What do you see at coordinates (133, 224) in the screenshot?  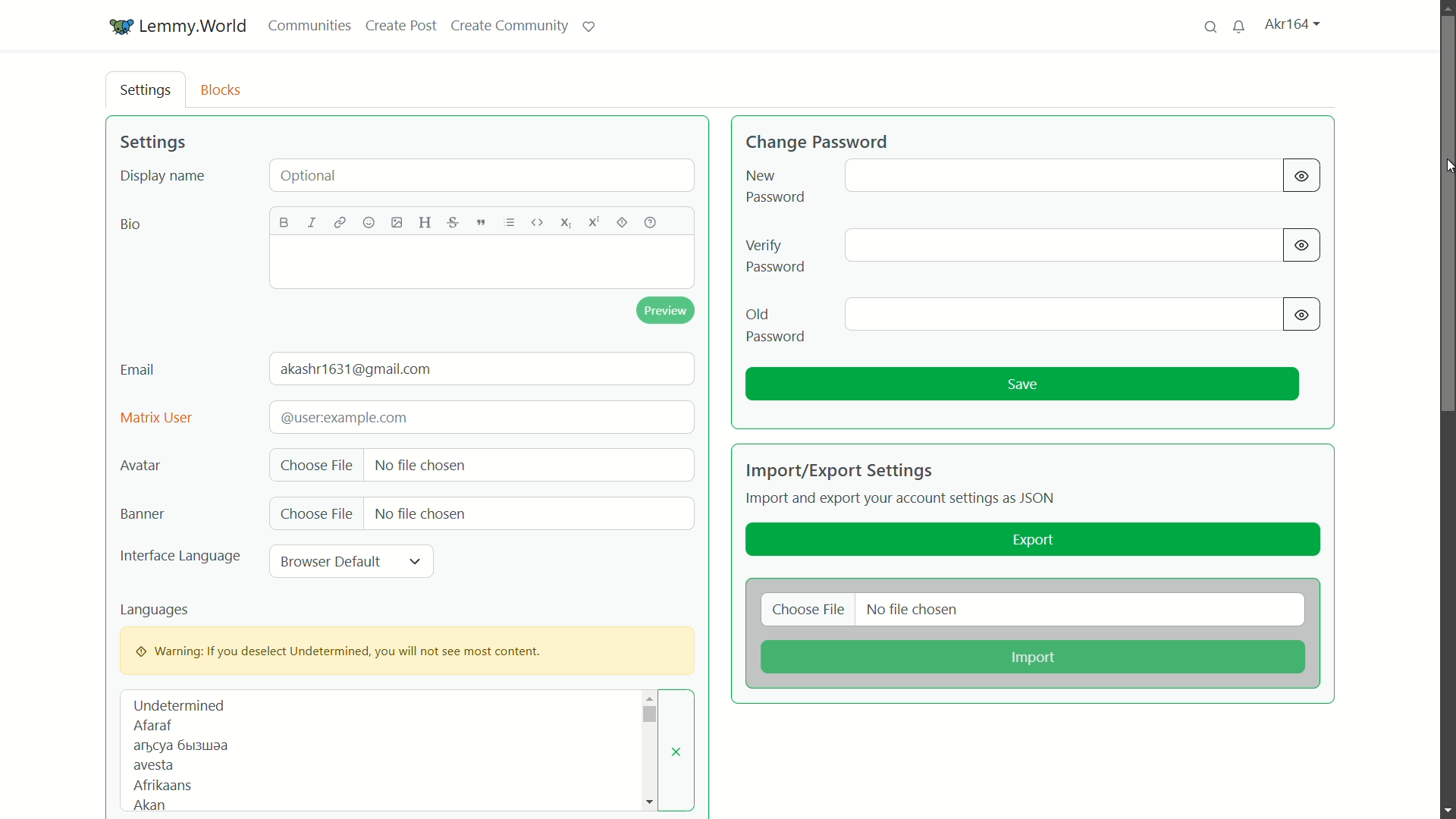 I see `bio` at bounding box center [133, 224].